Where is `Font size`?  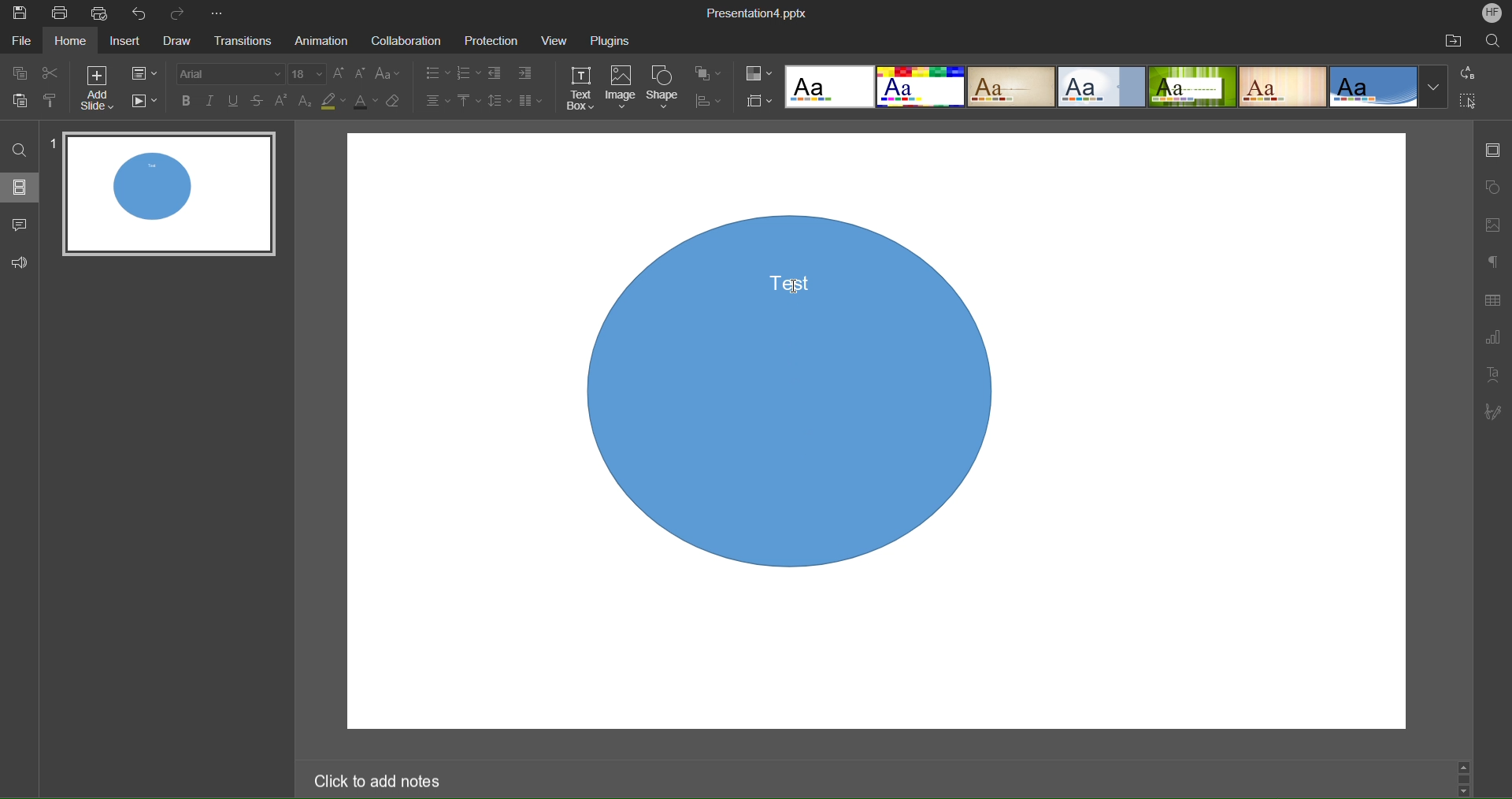
Font size is located at coordinates (309, 73).